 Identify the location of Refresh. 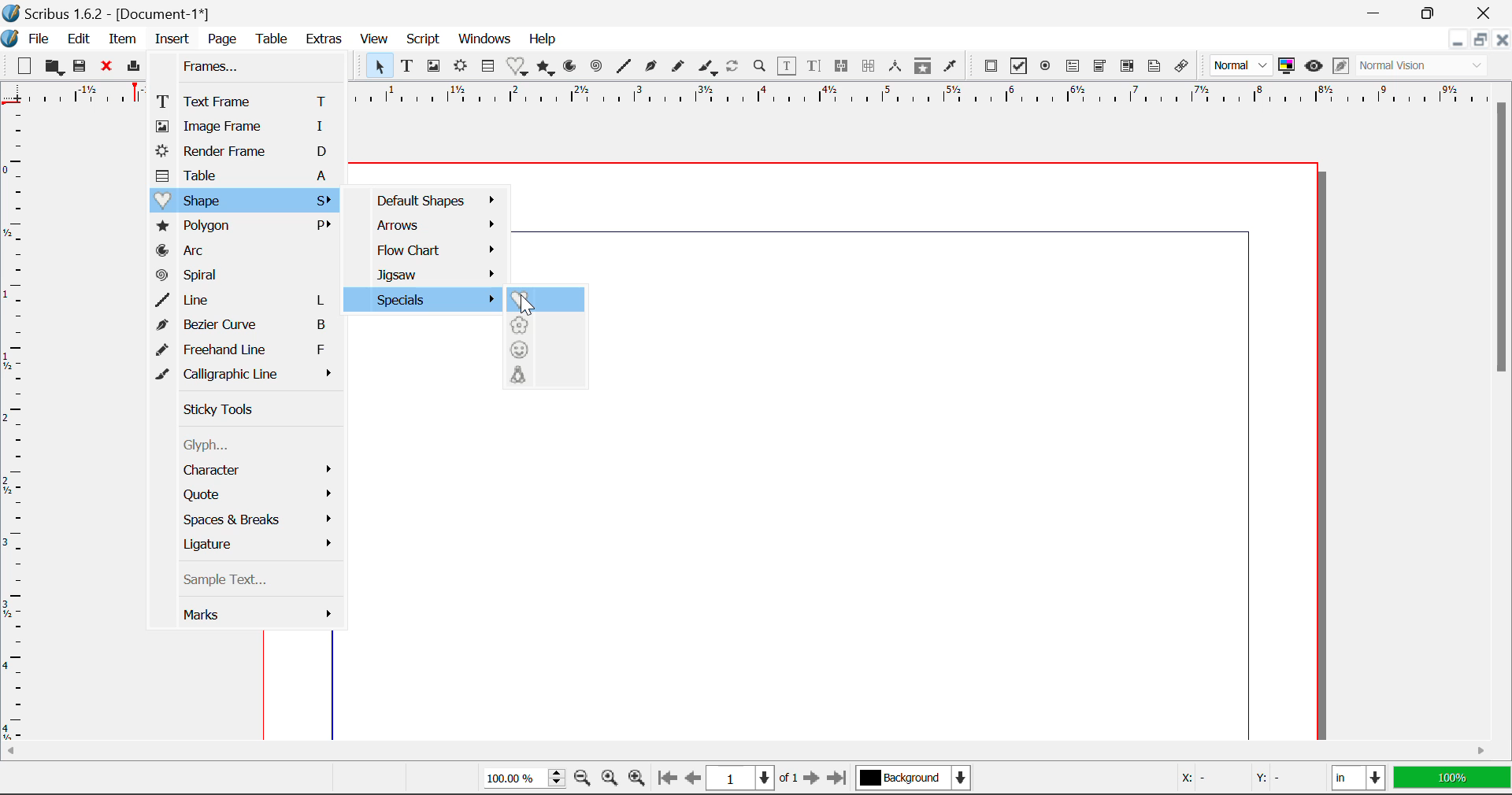
(736, 68).